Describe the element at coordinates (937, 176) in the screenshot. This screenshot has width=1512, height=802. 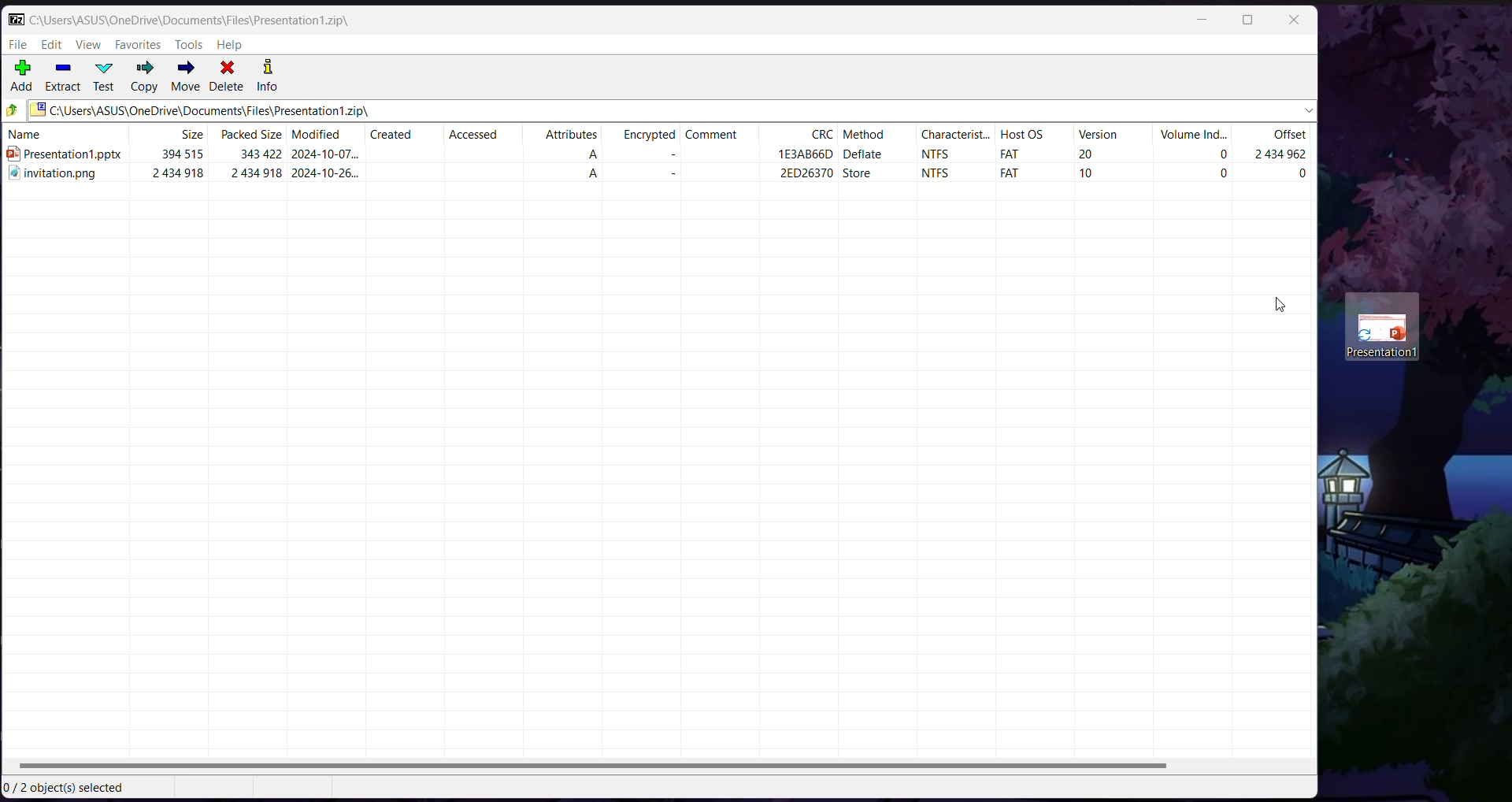
I see `NTFS` at that location.